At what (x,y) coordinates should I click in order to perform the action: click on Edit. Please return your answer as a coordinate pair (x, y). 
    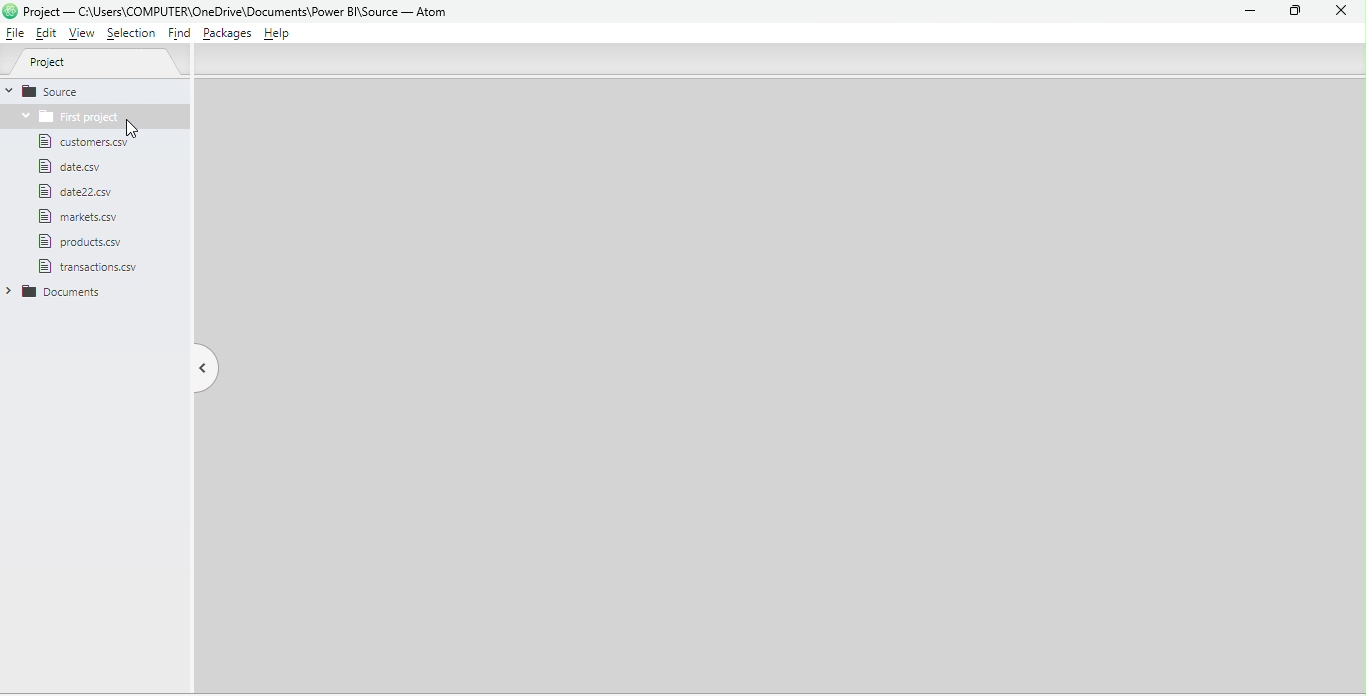
    Looking at the image, I should click on (49, 35).